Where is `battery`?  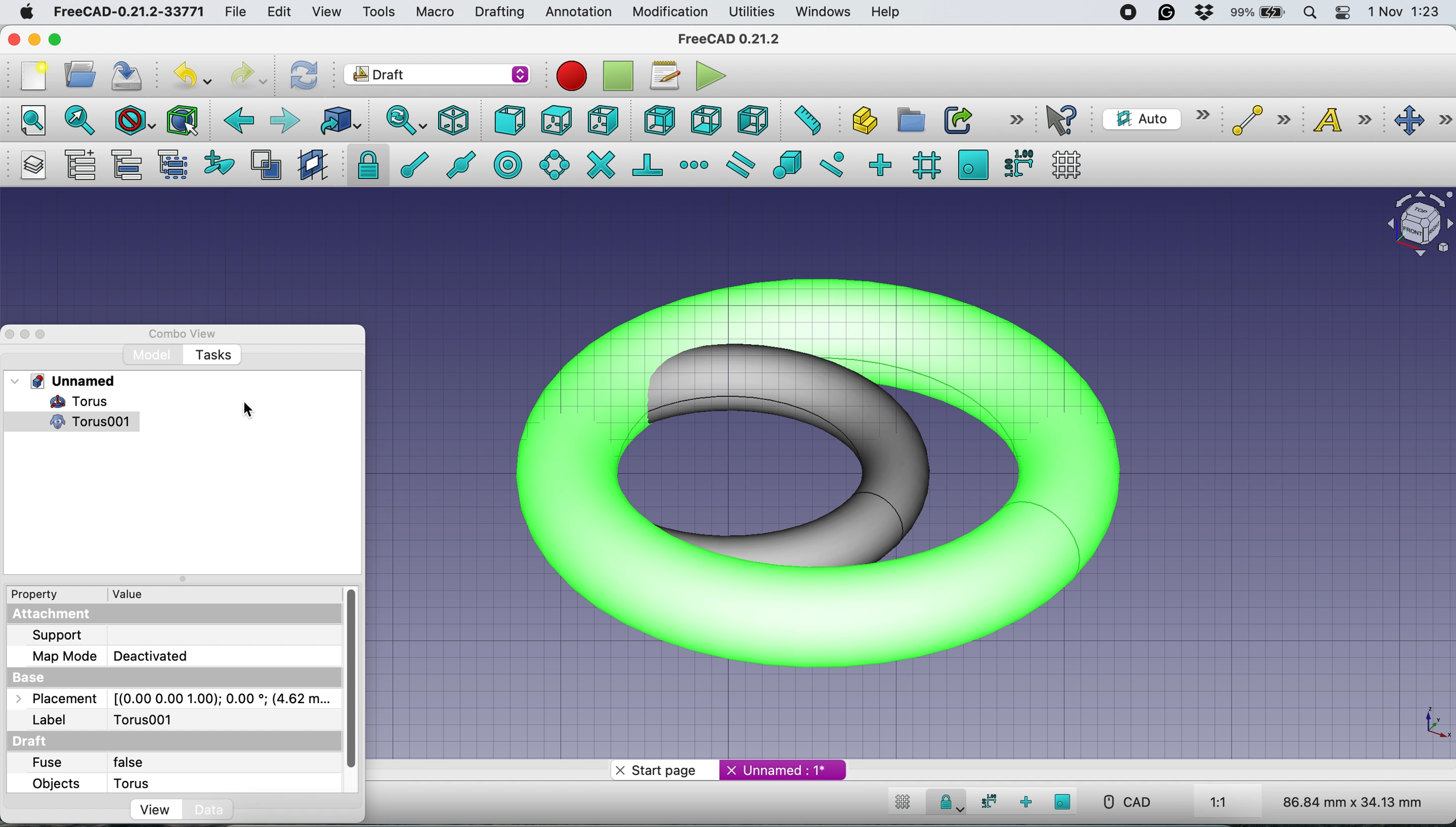
battery is located at coordinates (1259, 14).